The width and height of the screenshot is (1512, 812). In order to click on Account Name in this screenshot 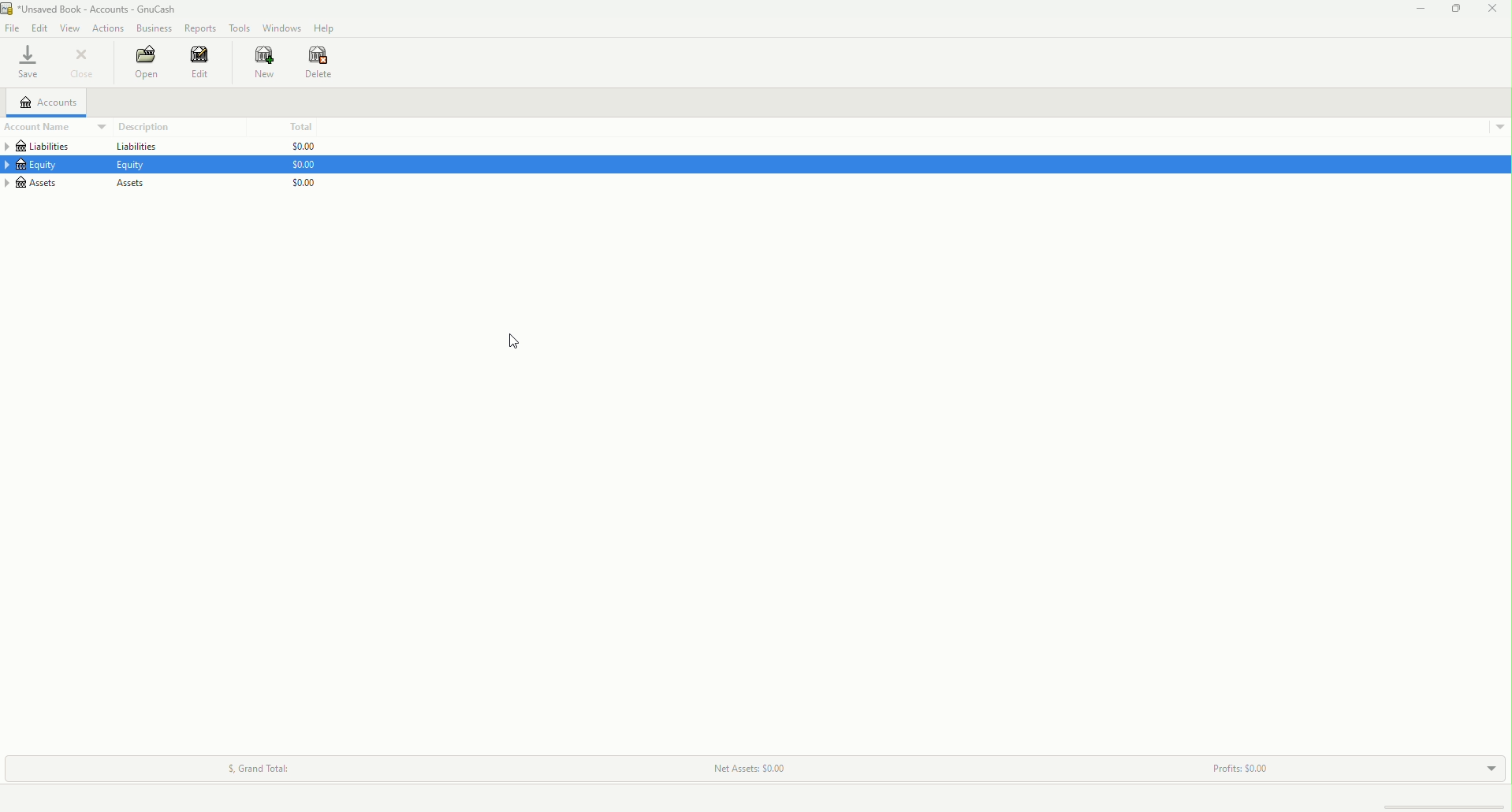, I will do `click(47, 127)`.